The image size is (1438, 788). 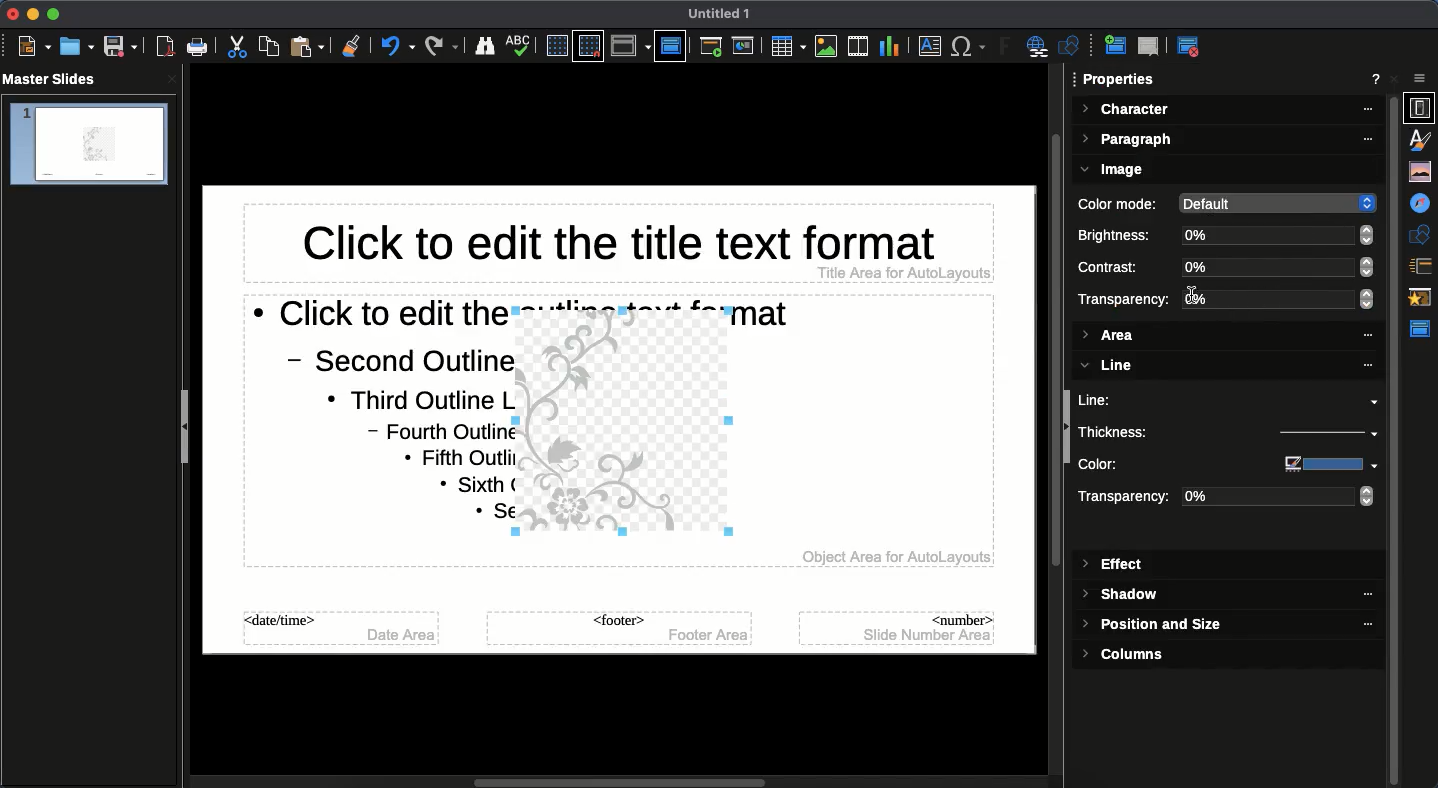 I want to click on Table, so click(x=786, y=46).